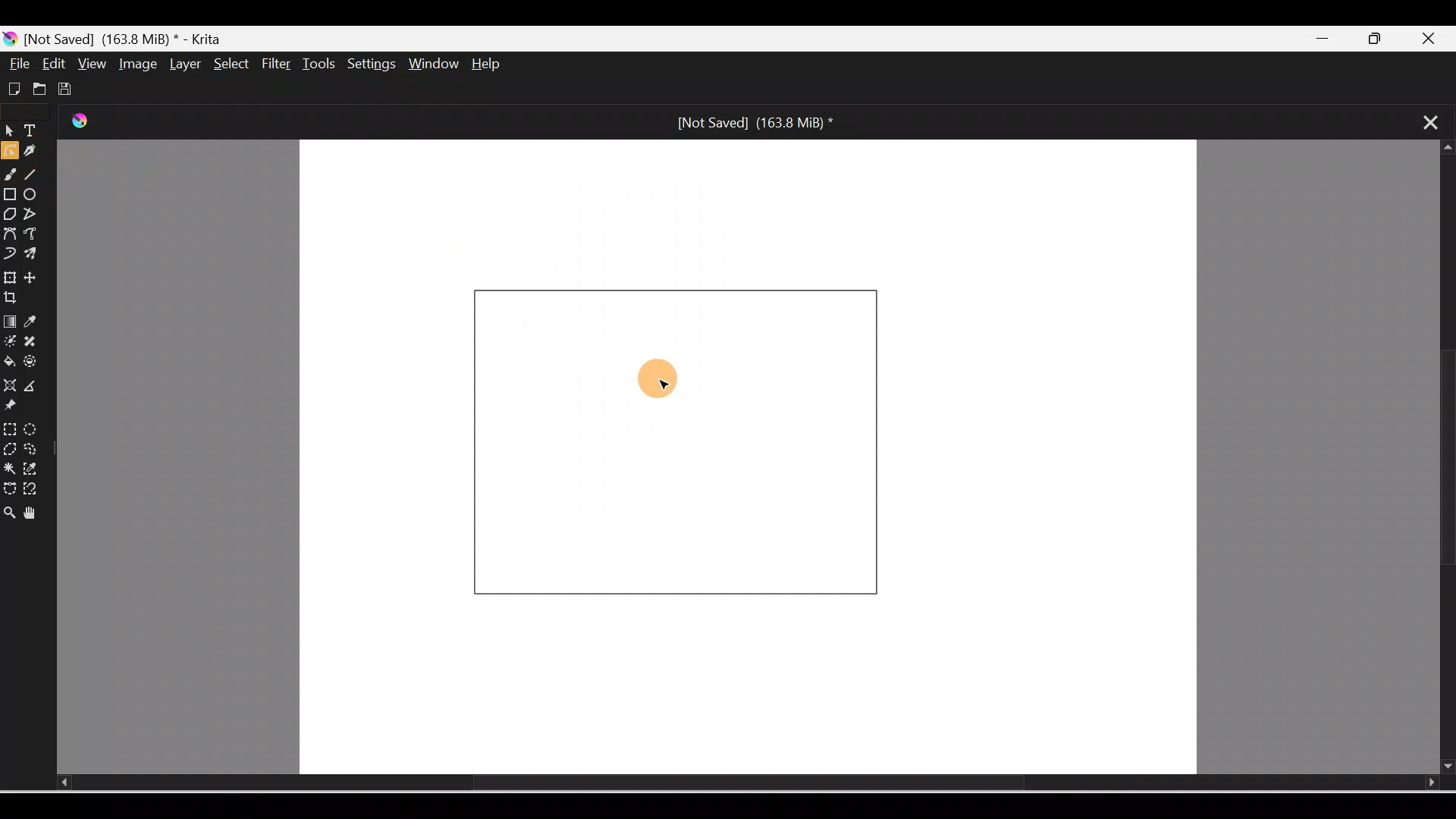  Describe the element at coordinates (33, 256) in the screenshot. I see `Multibrush tool` at that location.